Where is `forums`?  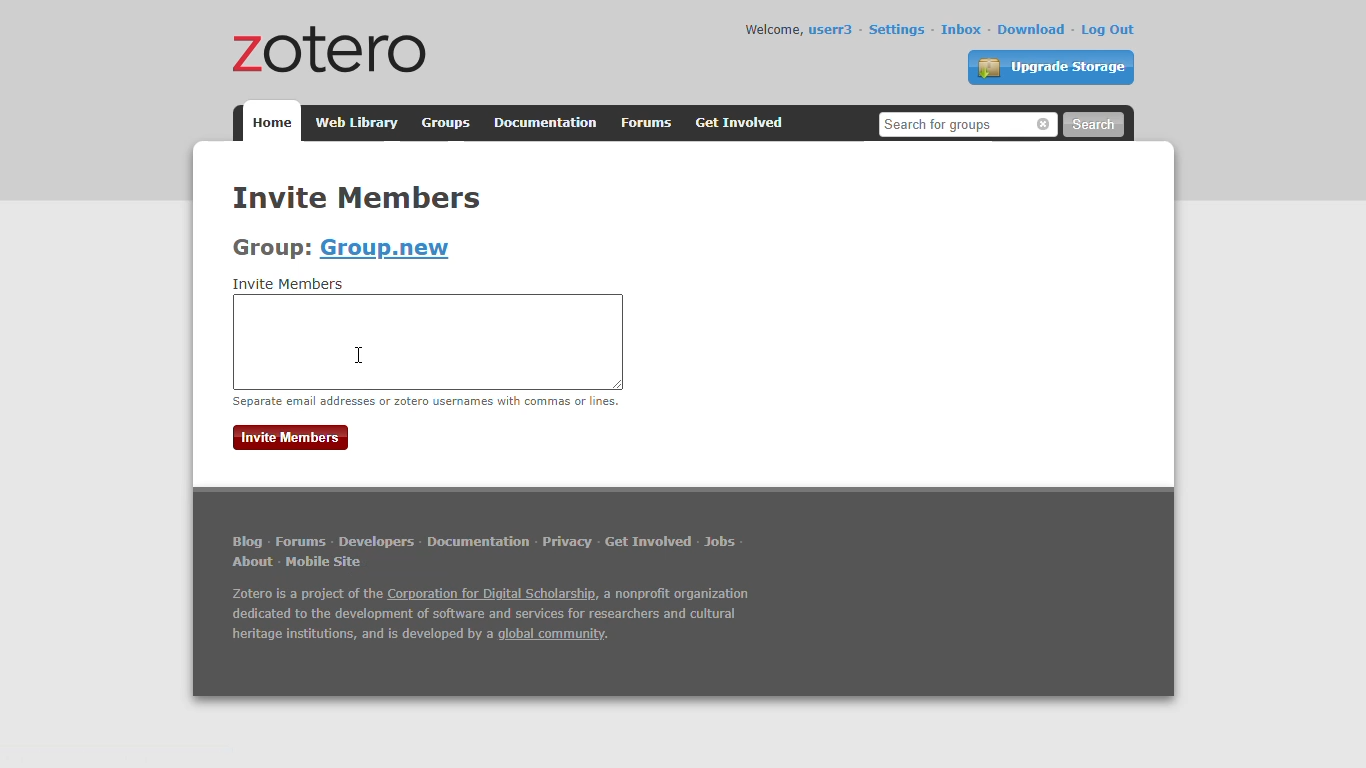
forums is located at coordinates (300, 541).